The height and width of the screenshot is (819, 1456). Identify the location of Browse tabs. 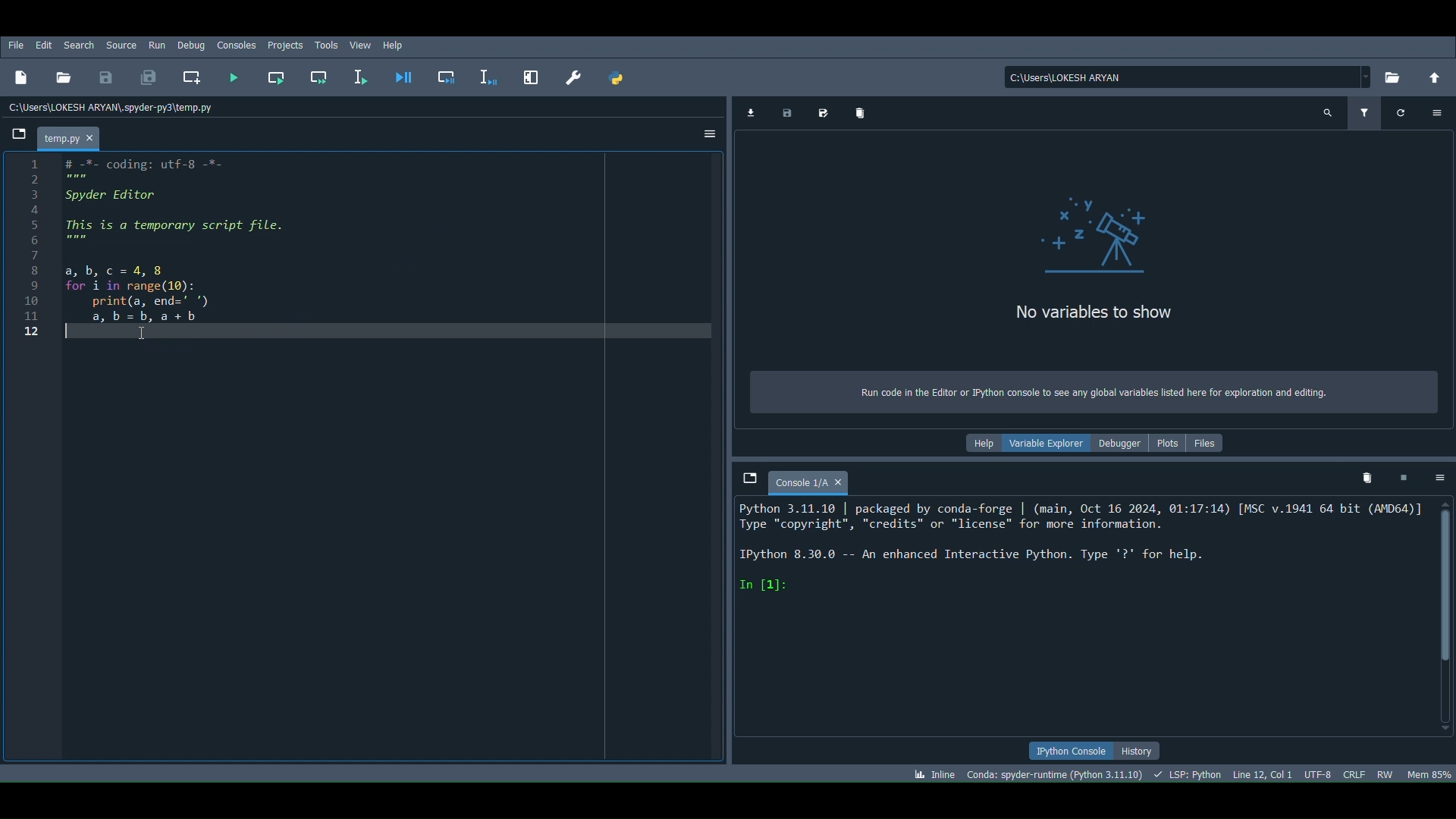
(18, 133).